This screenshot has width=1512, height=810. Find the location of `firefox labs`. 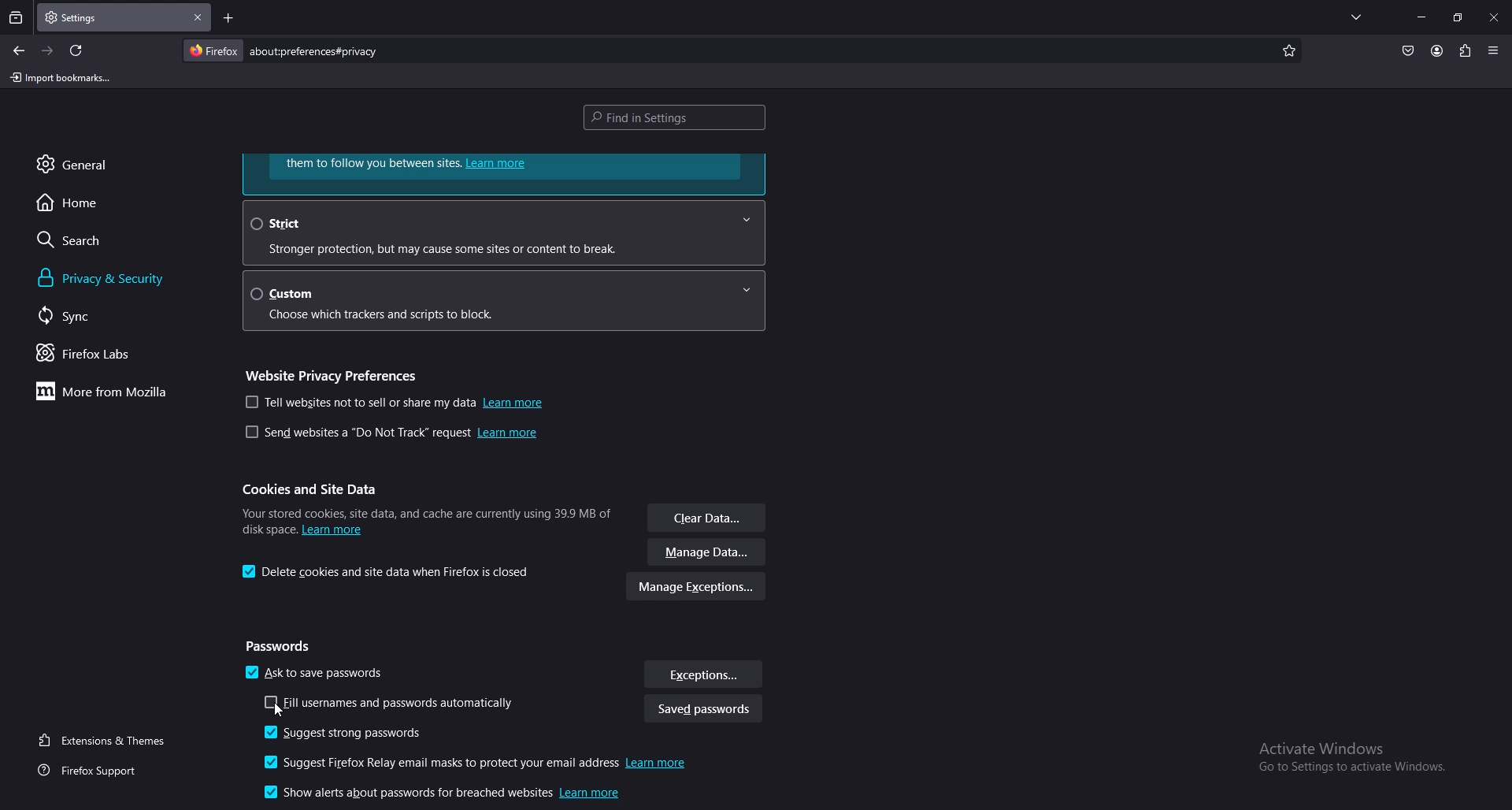

firefox labs is located at coordinates (100, 355).